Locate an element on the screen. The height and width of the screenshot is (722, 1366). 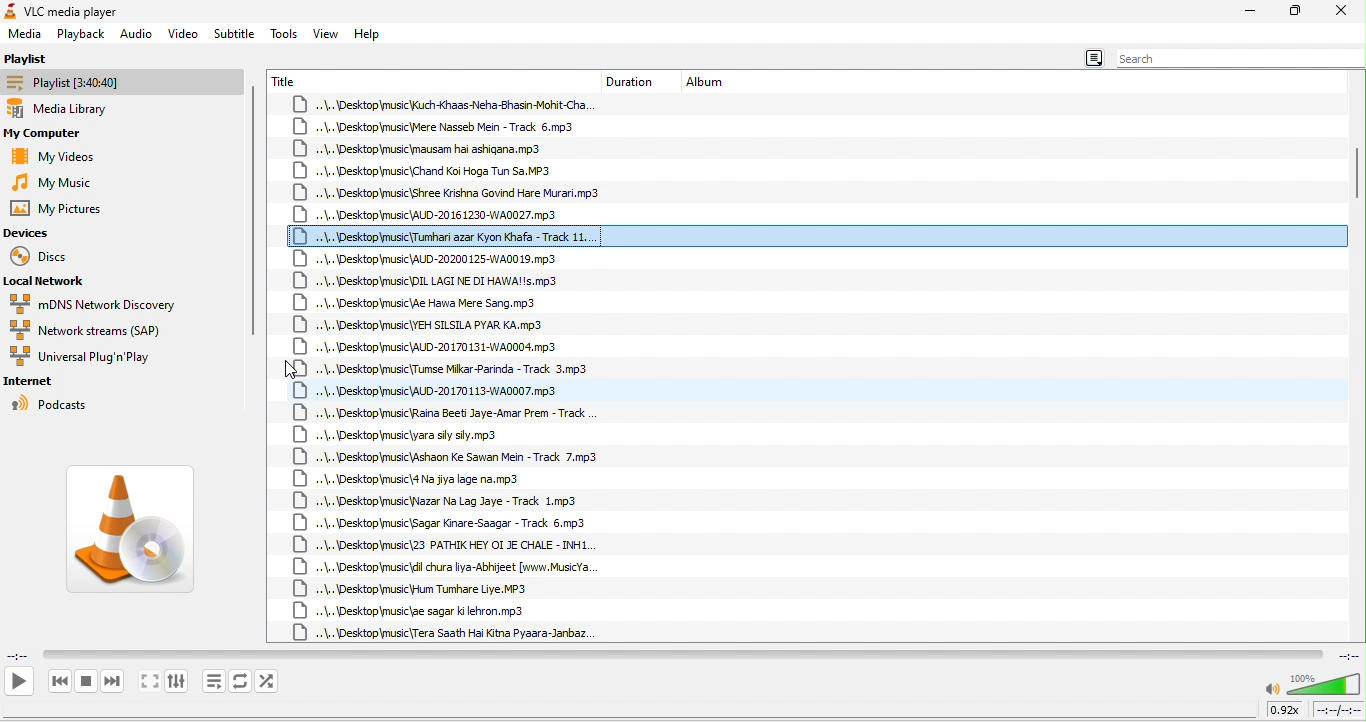
VLC media player is located at coordinates (84, 10).